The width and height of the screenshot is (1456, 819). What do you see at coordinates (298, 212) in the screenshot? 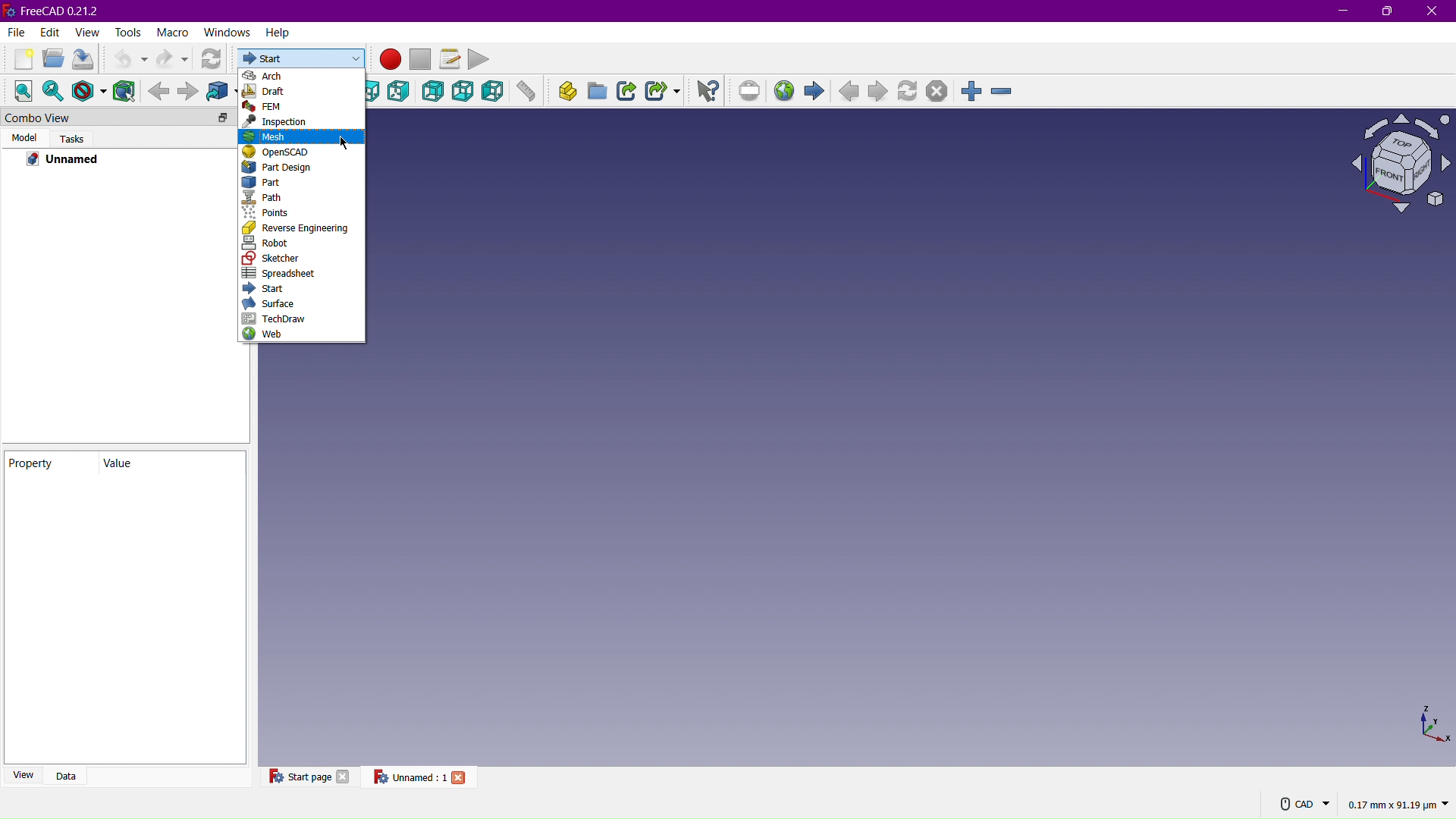
I see `Points` at bounding box center [298, 212].